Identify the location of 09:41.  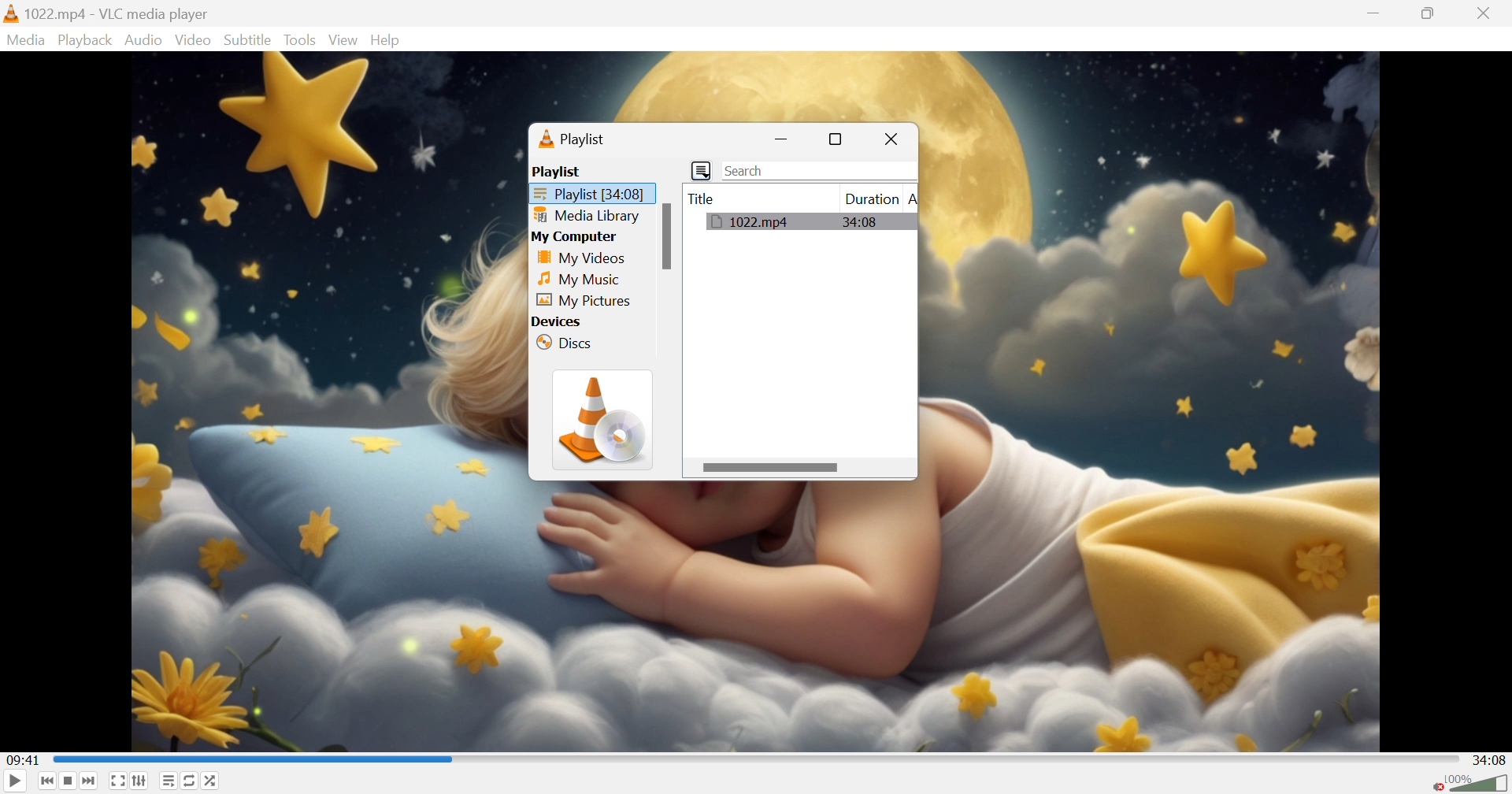
(24, 757).